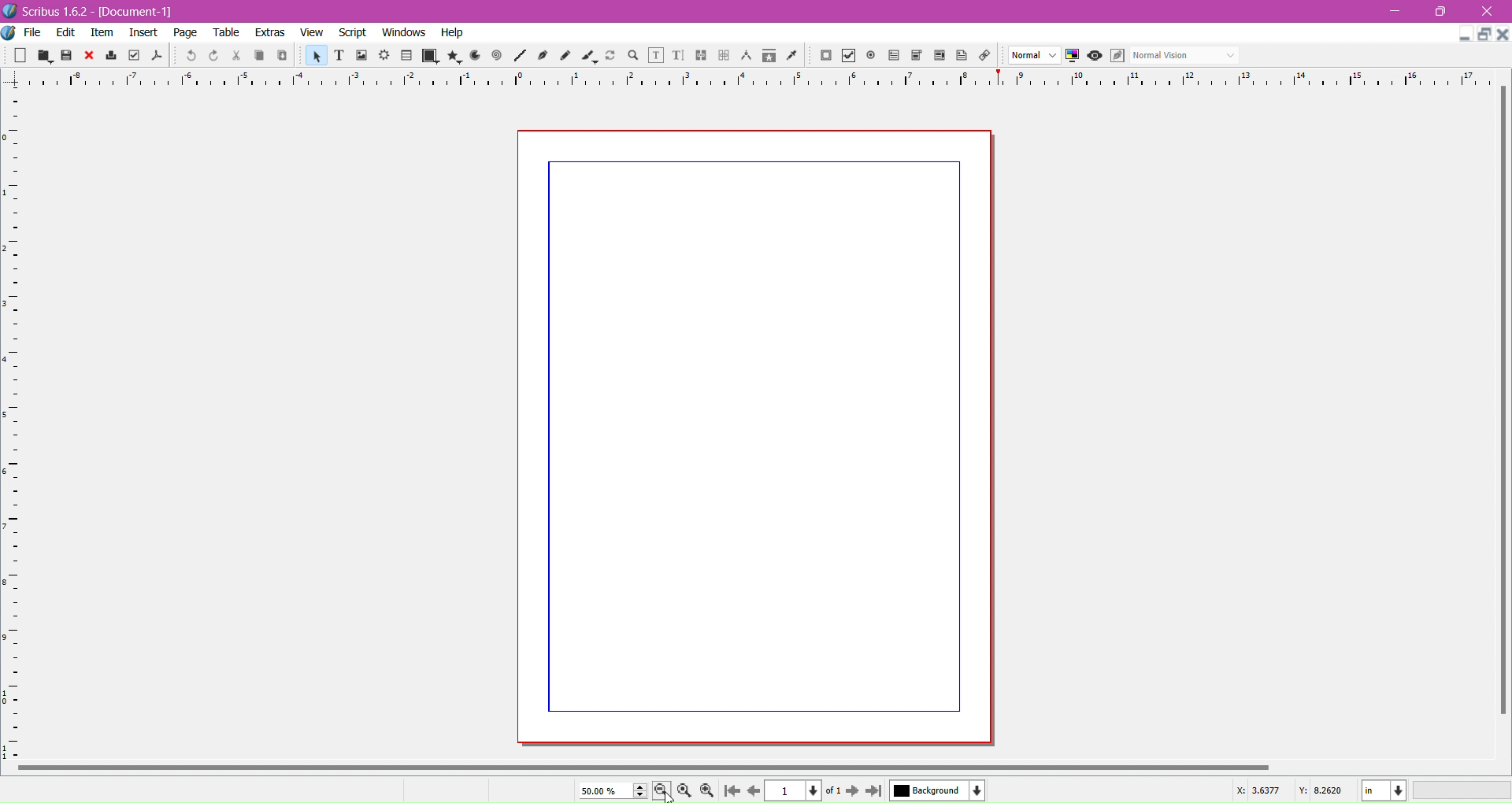  What do you see at coordinates (825, 56) in the screenshot?
I see `PDF Push Button` at bounding box center [825, 56].